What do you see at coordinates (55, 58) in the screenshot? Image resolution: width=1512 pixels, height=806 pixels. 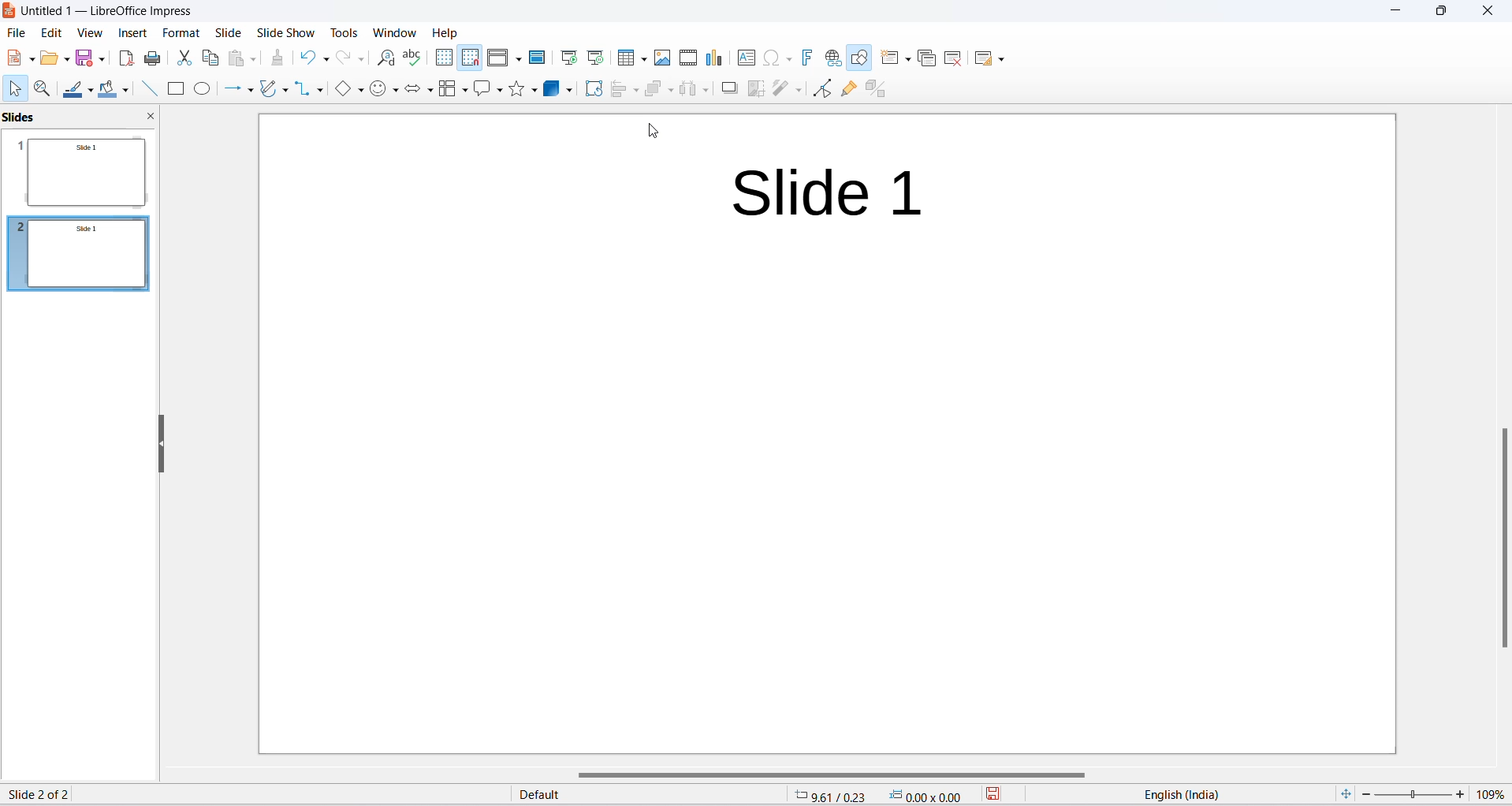 I see `open options` at bounding box center [55, 58].